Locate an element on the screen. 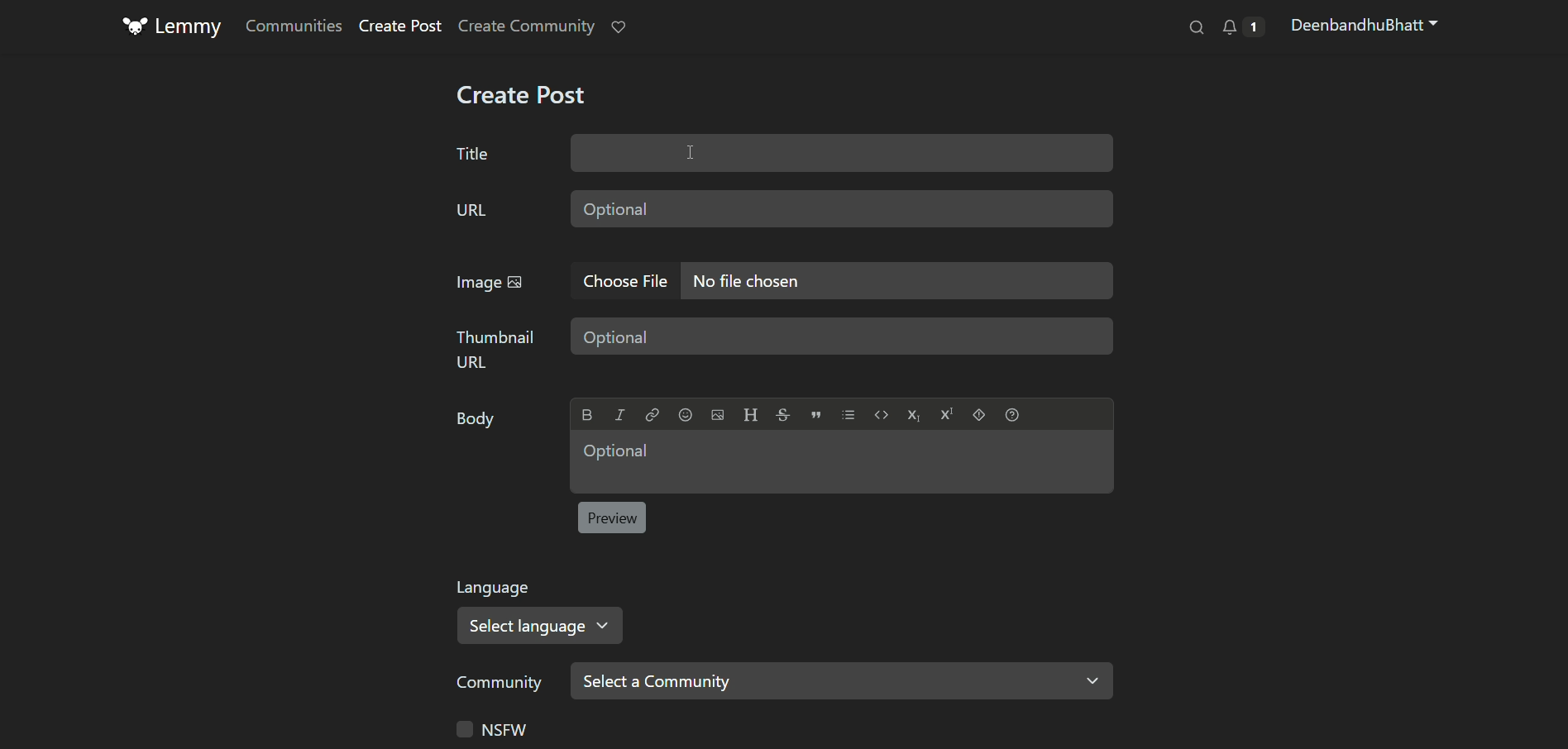 This screenshot has height=749, width=1568. select a community is located at coordinates (843, 680).